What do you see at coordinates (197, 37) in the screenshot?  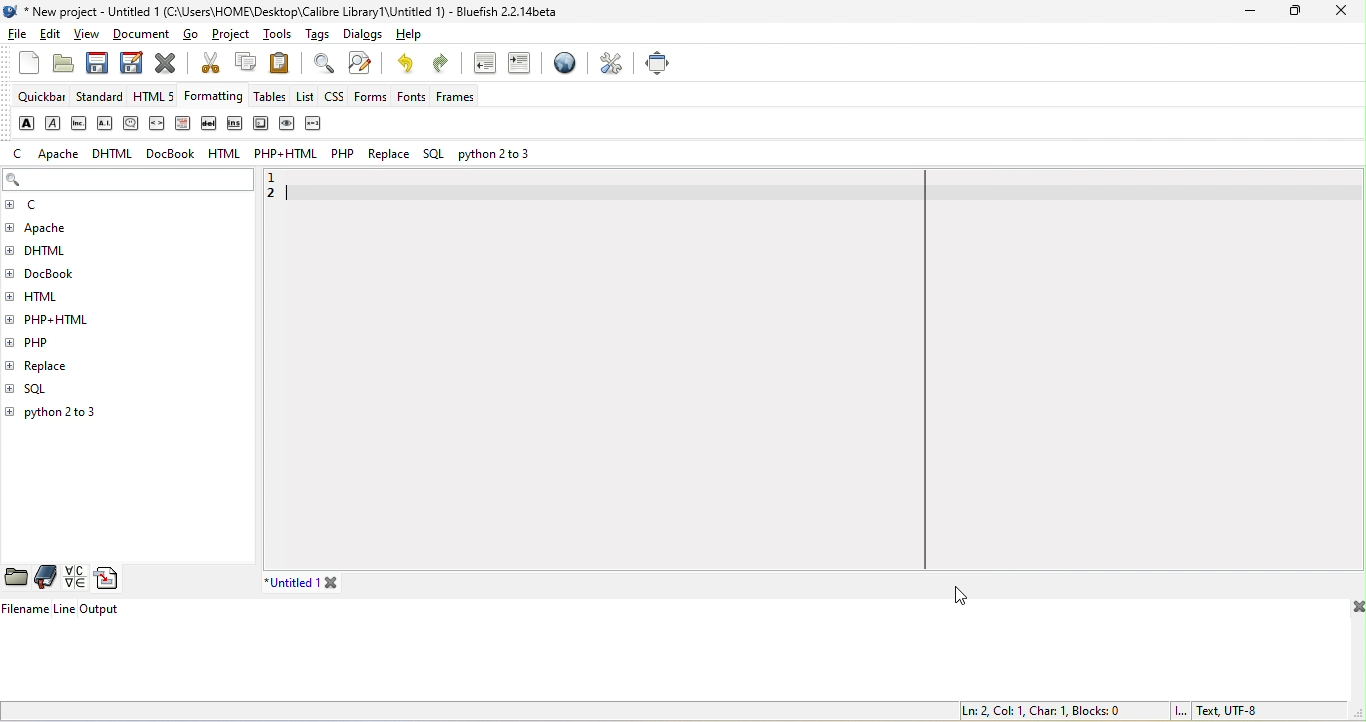 I see `go` at bounding box center [197, 37].